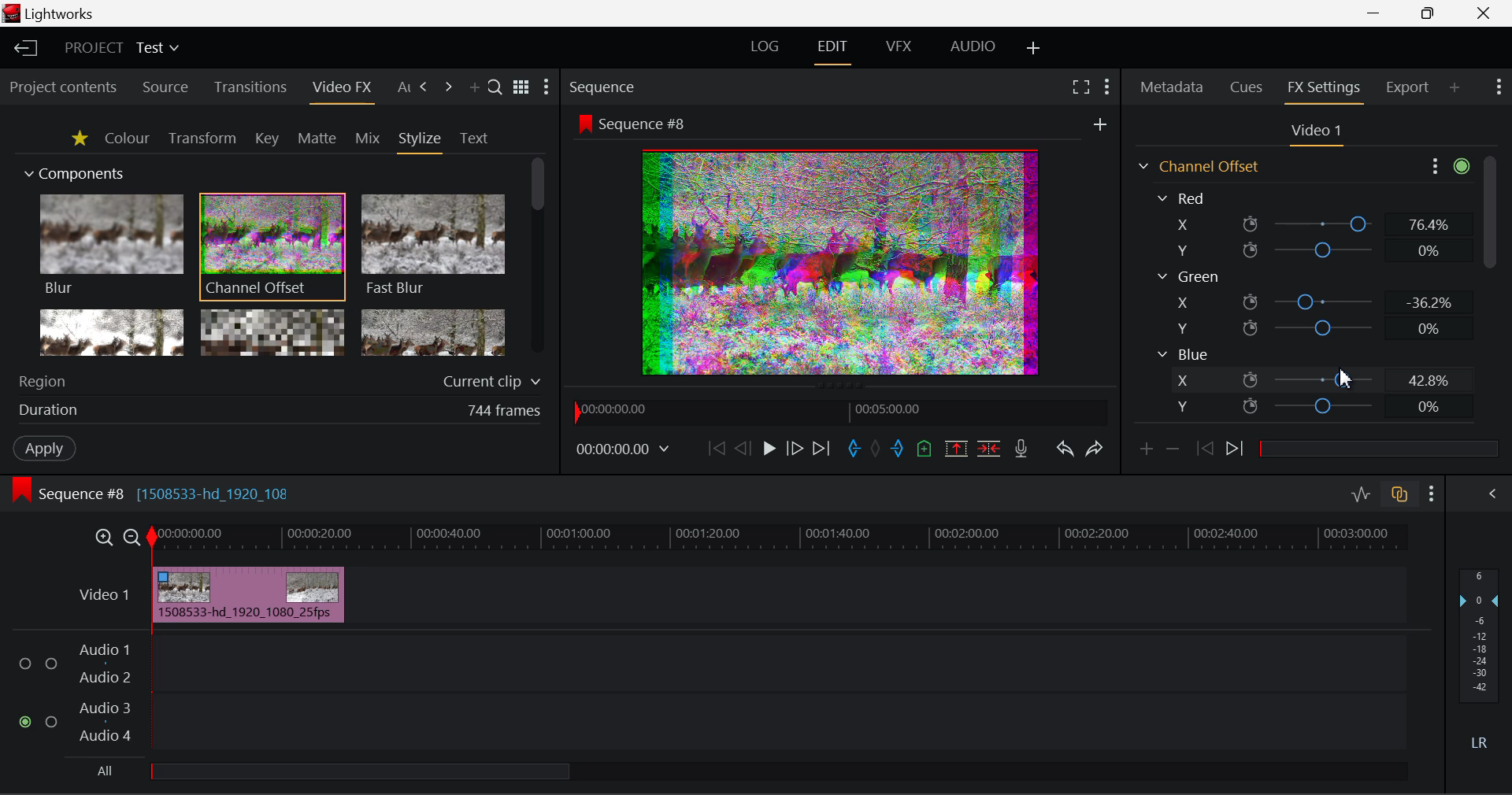 Image resolution: width=1512 pixels, height=795 pixels. I want to click on Transform, so click(202, 139).